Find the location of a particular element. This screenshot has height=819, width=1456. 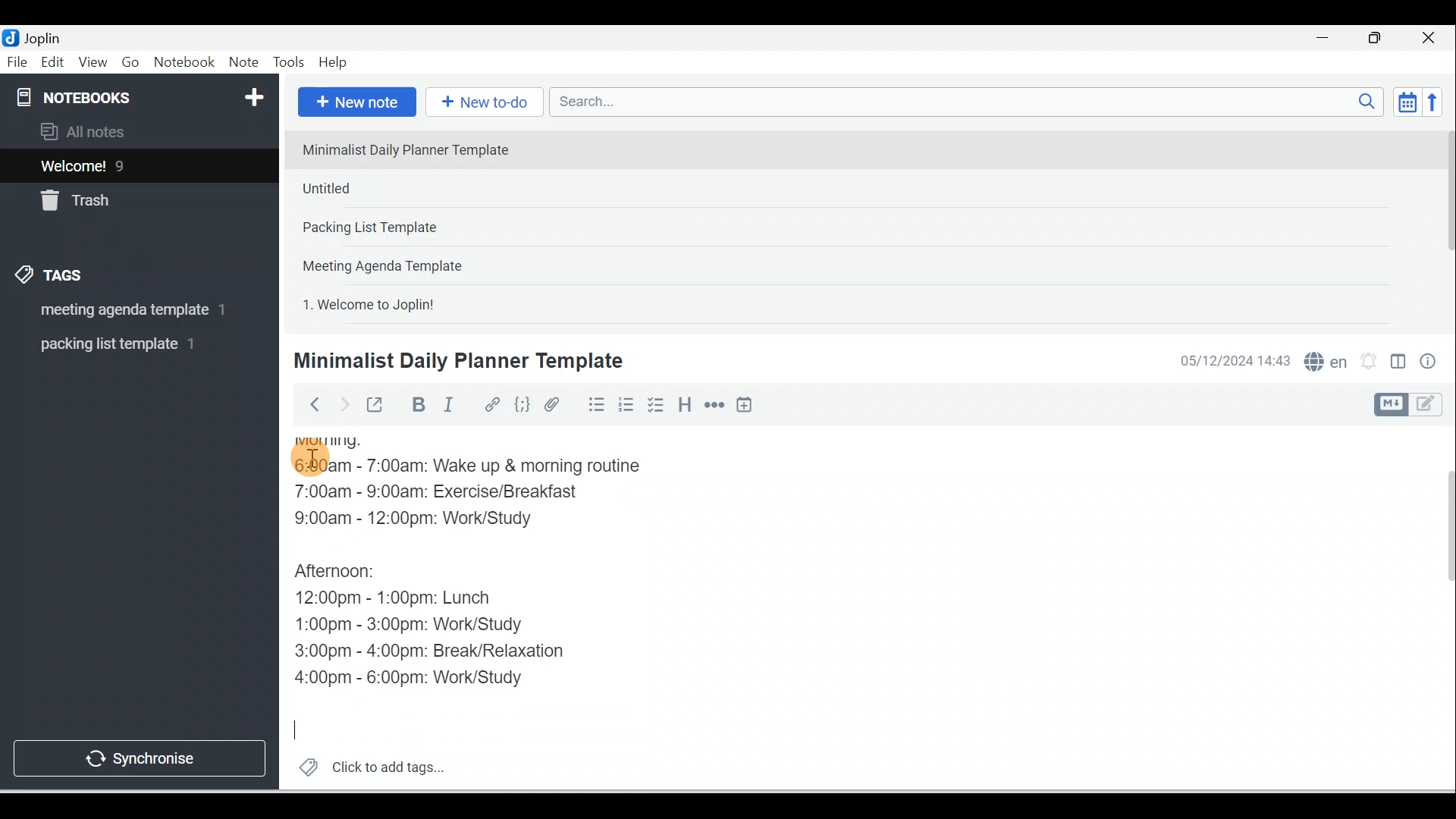

Tools is located at coordinates (288, 62).